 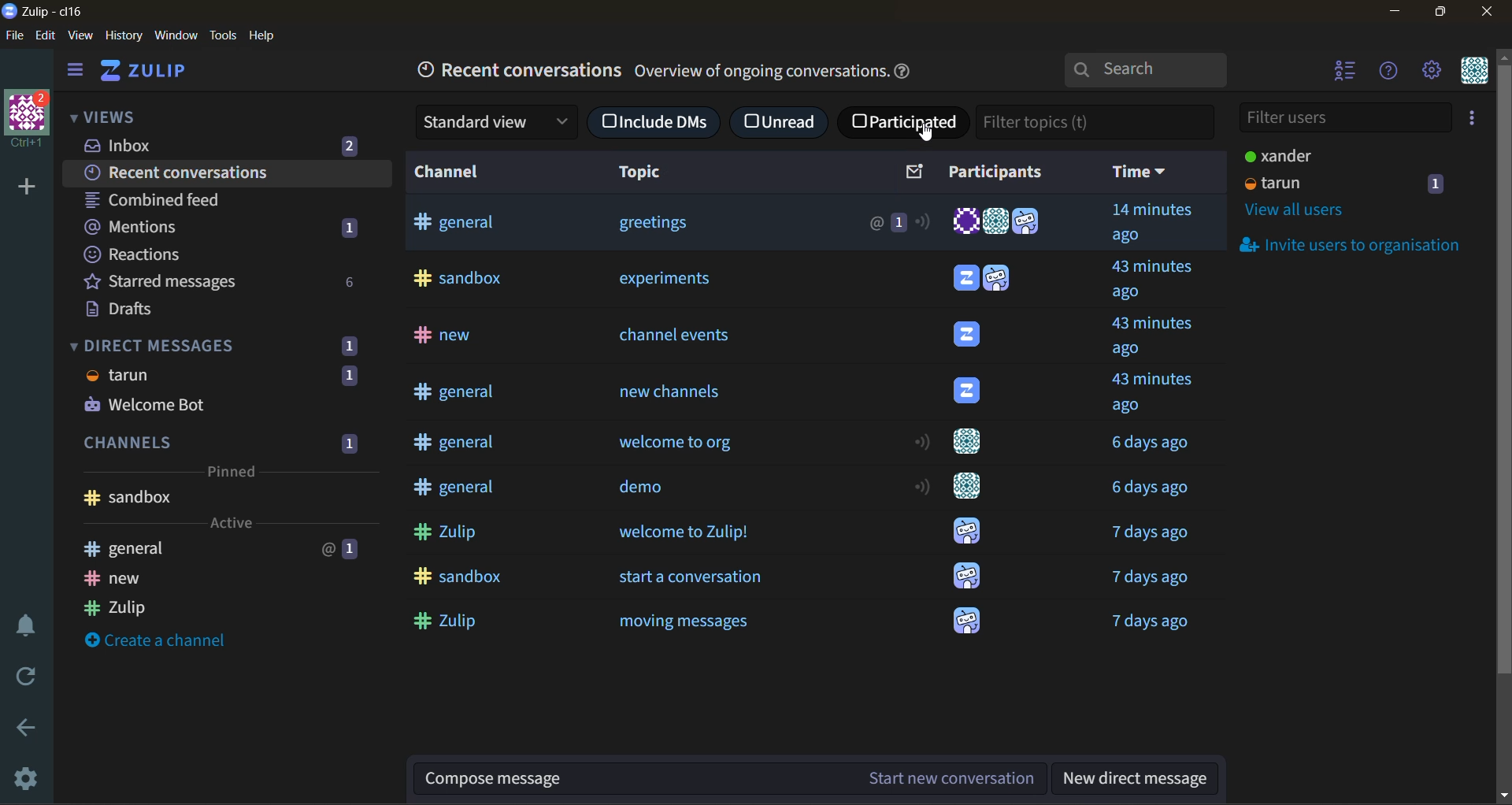 I want to click on user, so click(x=969, y=487).